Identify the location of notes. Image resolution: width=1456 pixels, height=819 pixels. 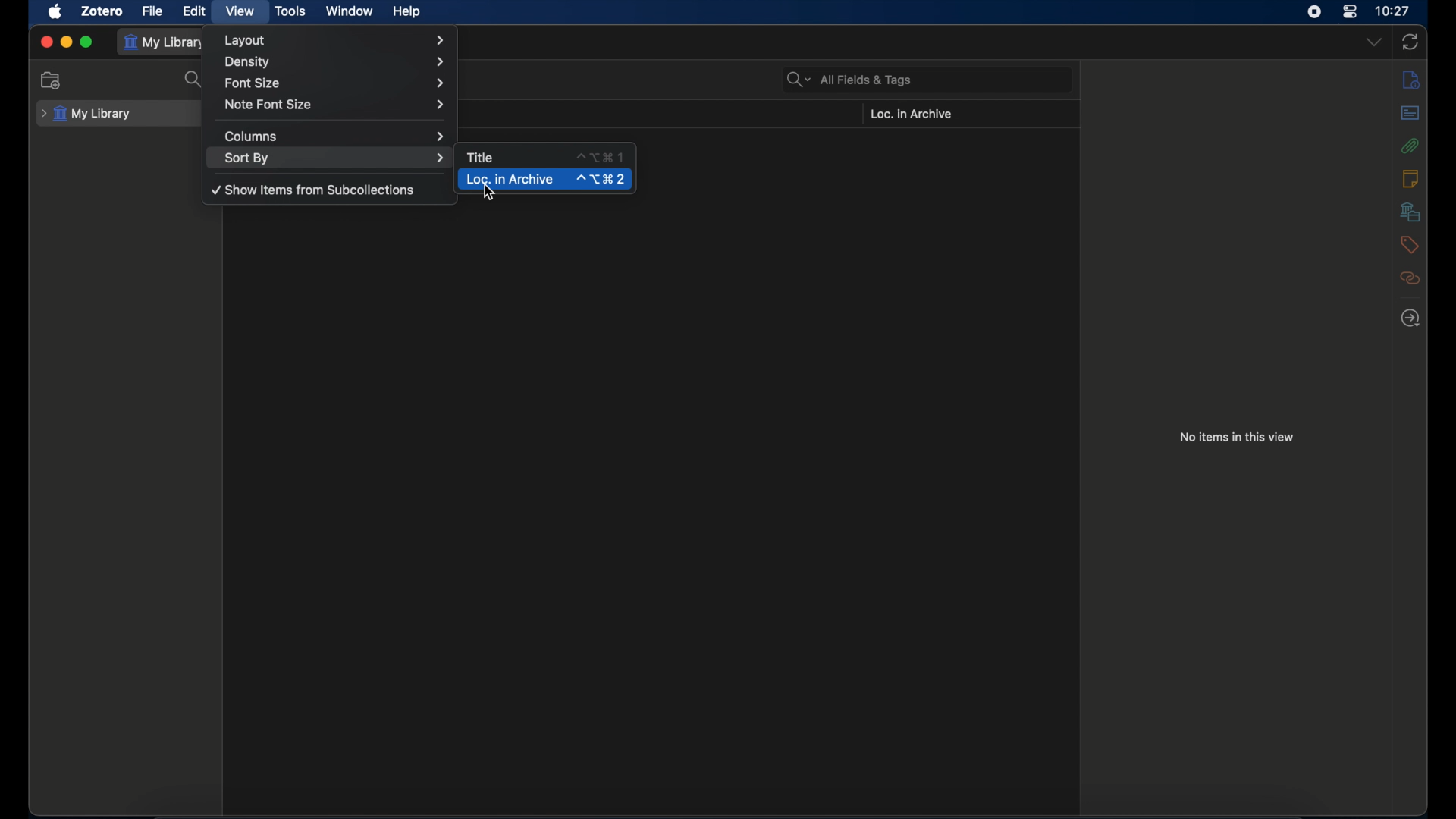
(1411, 80).